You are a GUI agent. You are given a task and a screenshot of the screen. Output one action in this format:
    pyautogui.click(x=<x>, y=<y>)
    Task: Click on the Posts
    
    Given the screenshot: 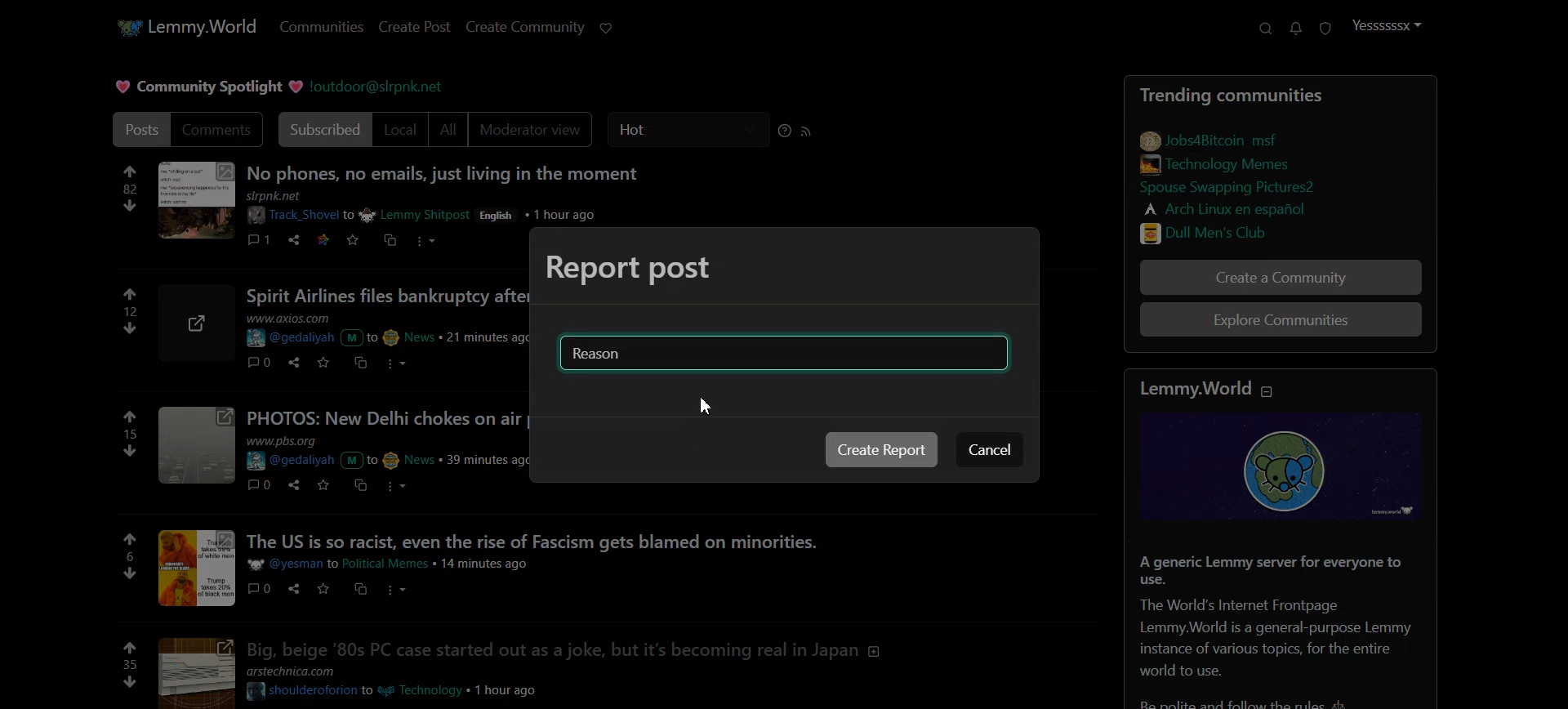 What is the action you would take?
    pyautogui.click(x=1279, y=92)
    